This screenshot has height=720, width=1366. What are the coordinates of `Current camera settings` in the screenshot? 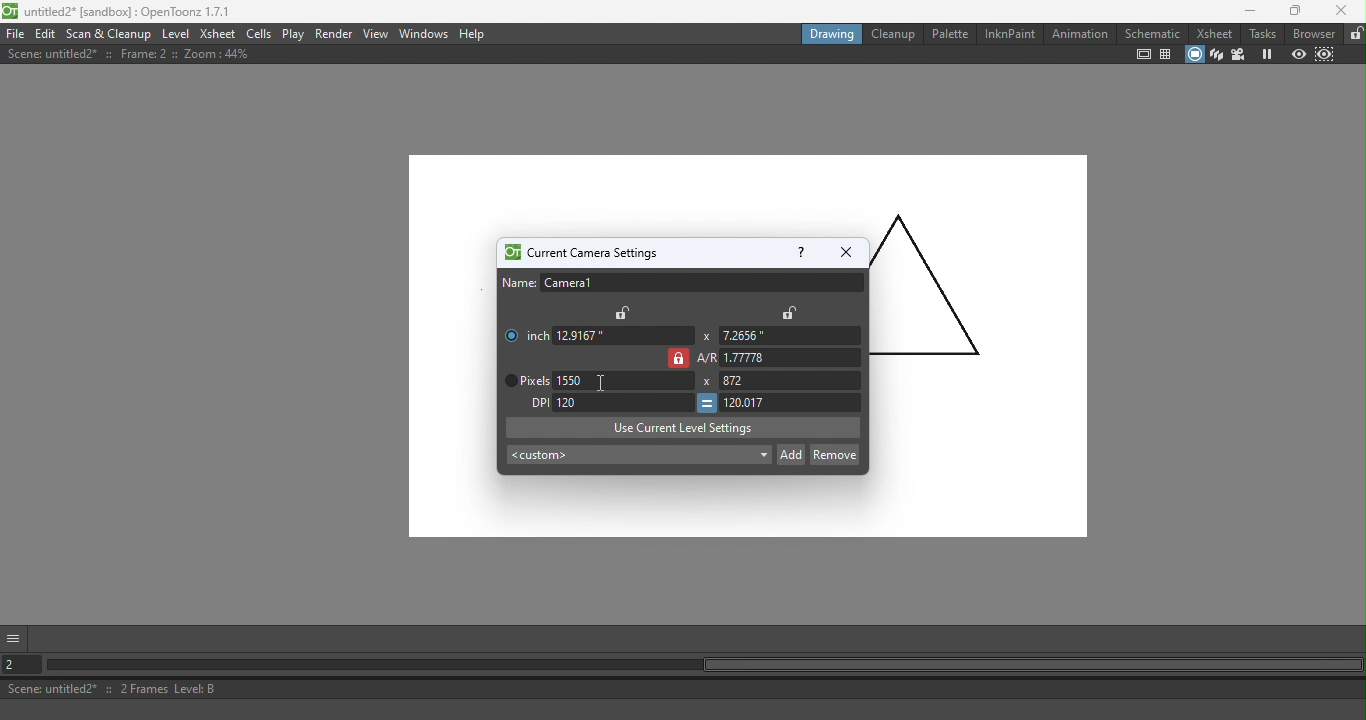 It's located at (579, 253).